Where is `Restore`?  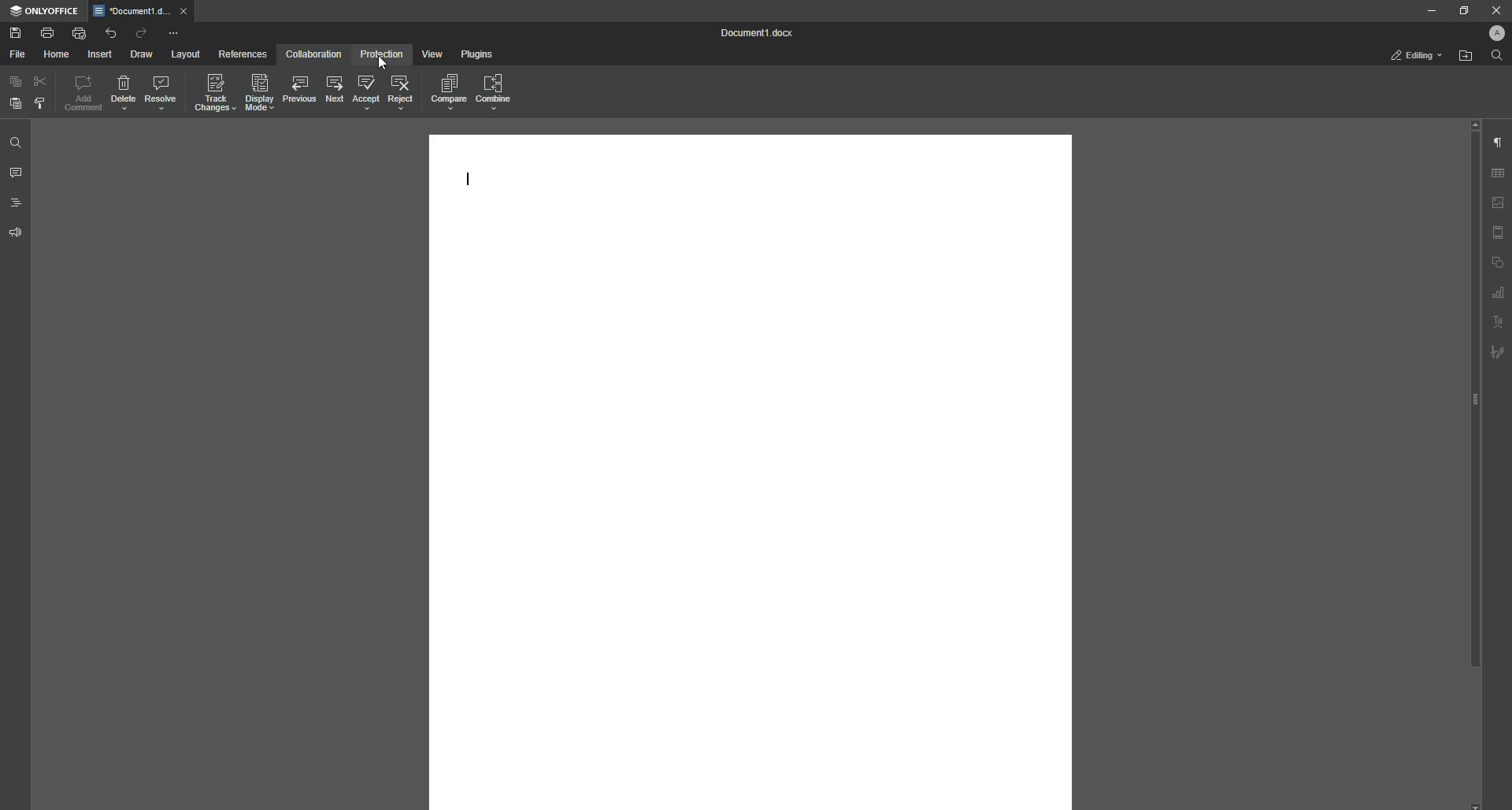
Restore is located at coordinates (1463, 11).